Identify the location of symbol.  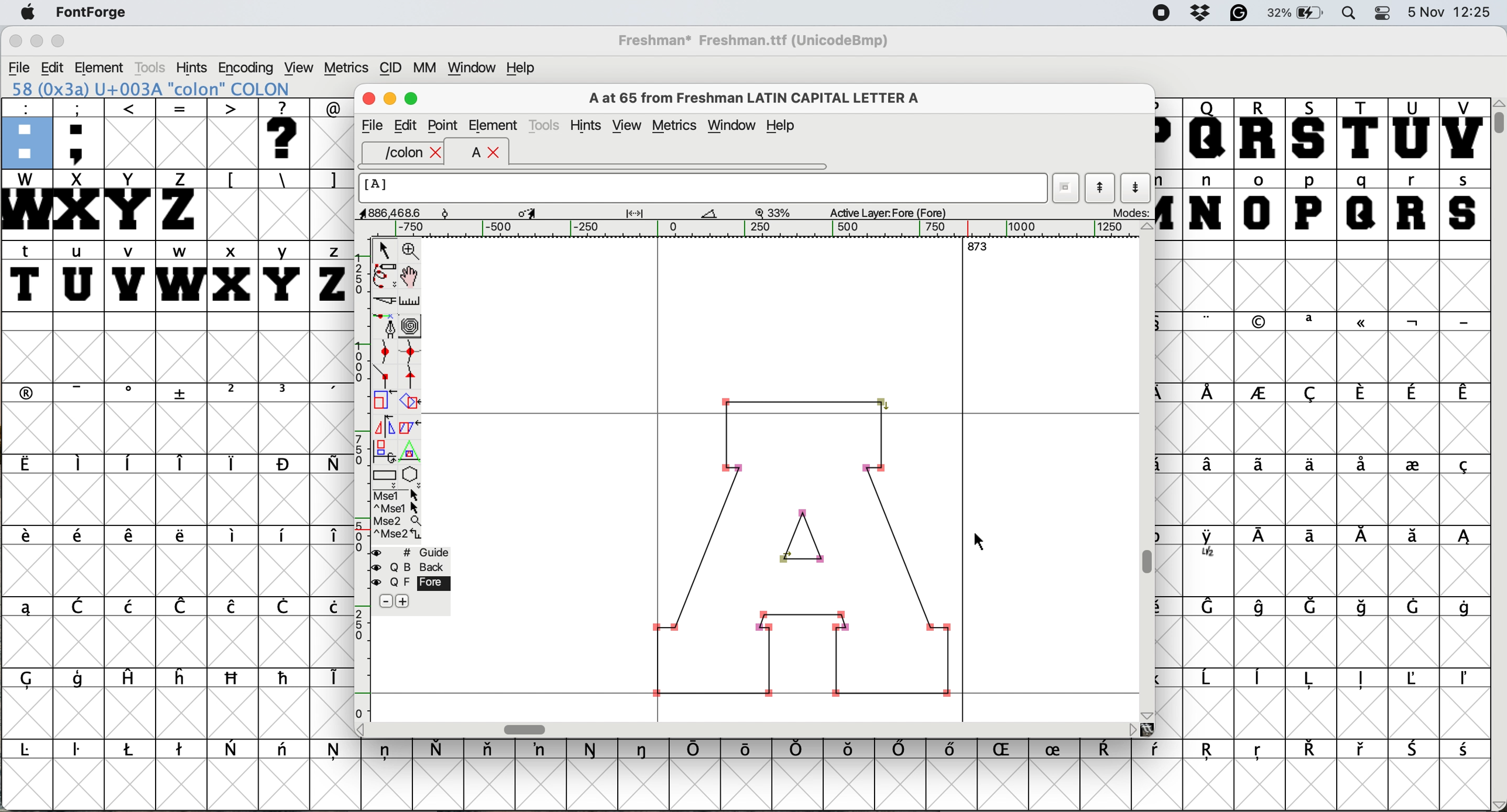
(80, 752).